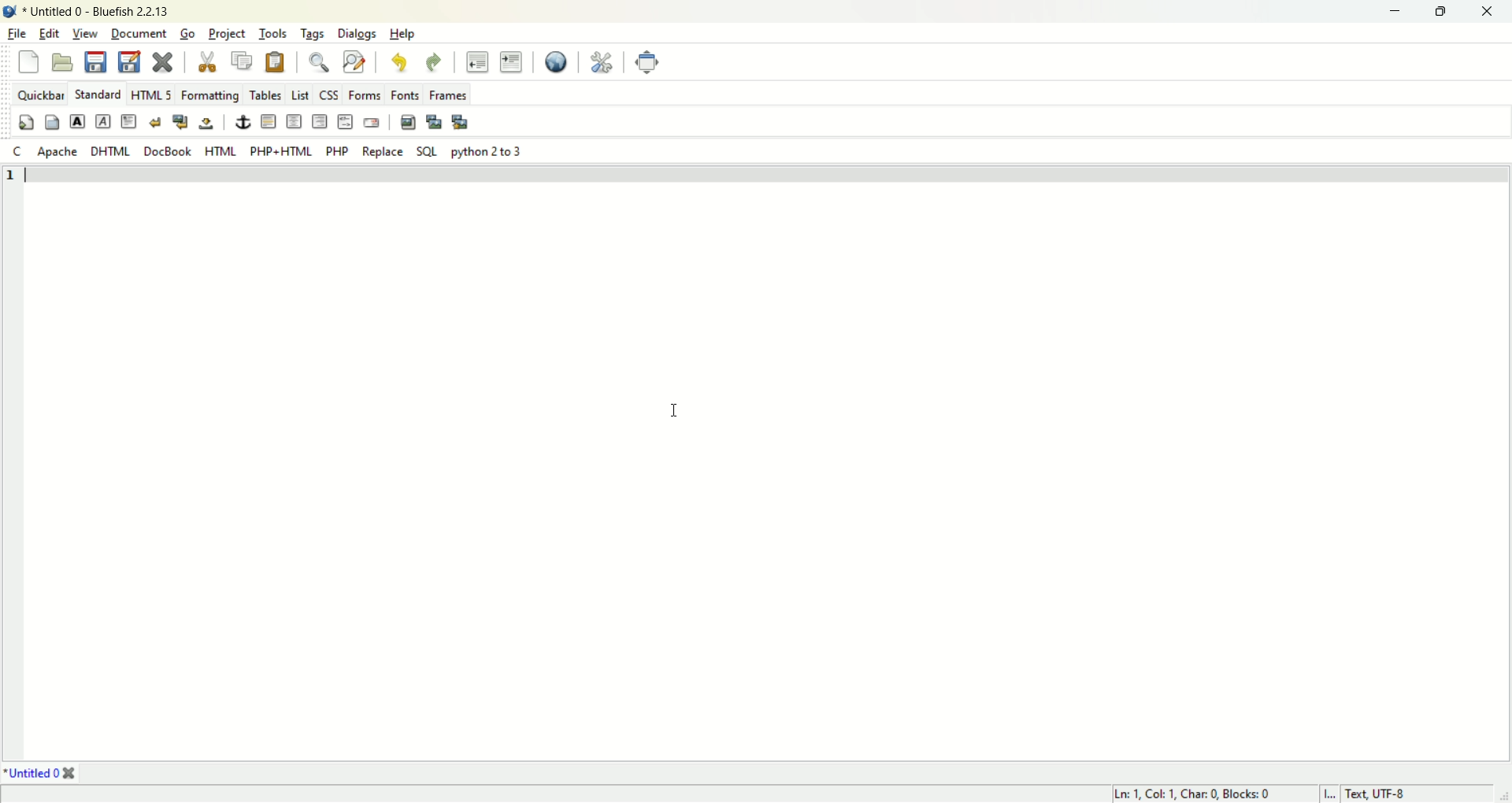 Image resolution: width=1512 pixels, height=803 pixels. Describe the element at coordinates (276, 64) in the screenshot. I see `paste` at that location.